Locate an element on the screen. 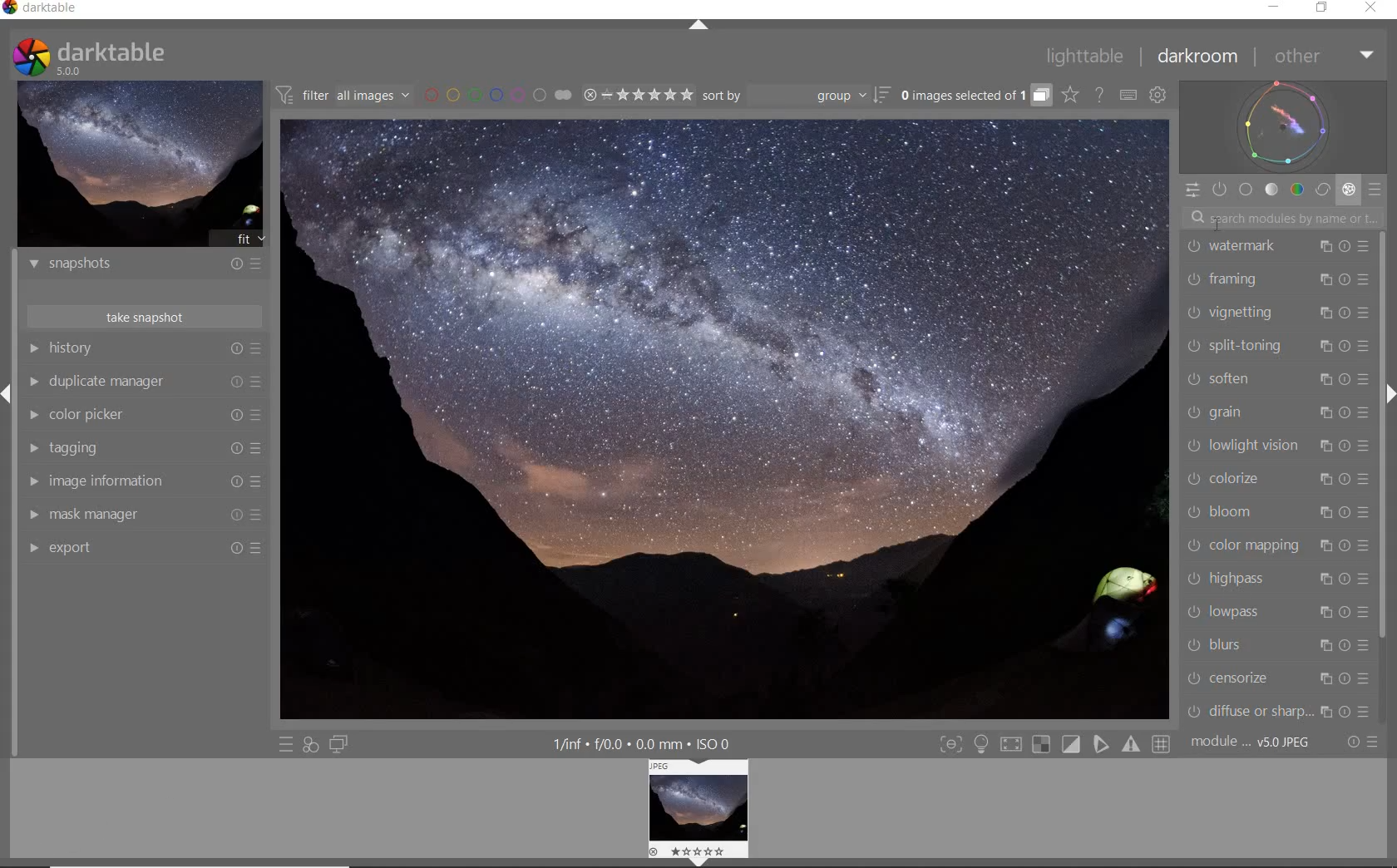 Image resolution: width=1397 pixels, height=868 pixels. multiple instance actions is located at coordinates (1326, 311).